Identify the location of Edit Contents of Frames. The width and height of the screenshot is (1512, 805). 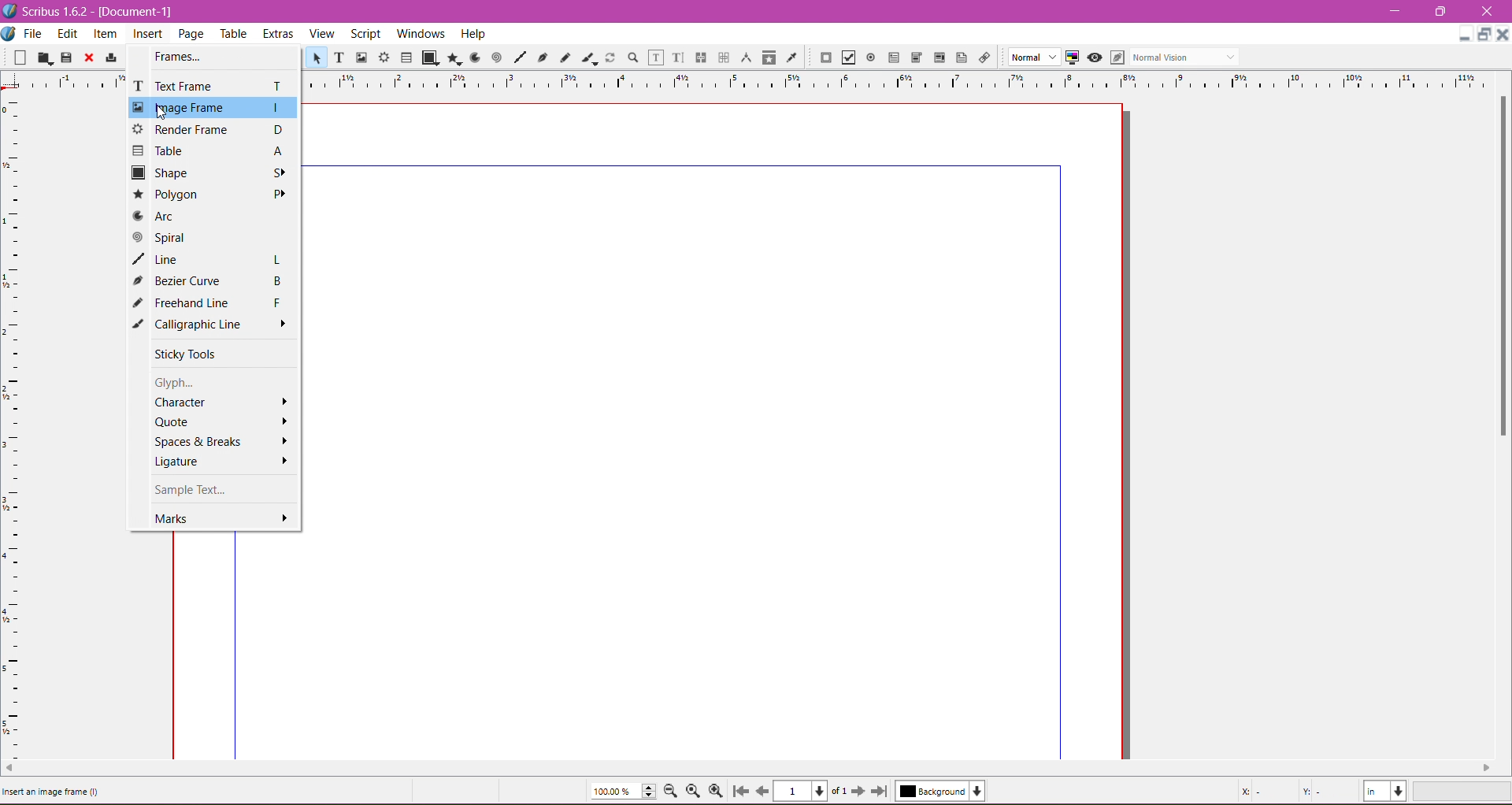
(654, 57).